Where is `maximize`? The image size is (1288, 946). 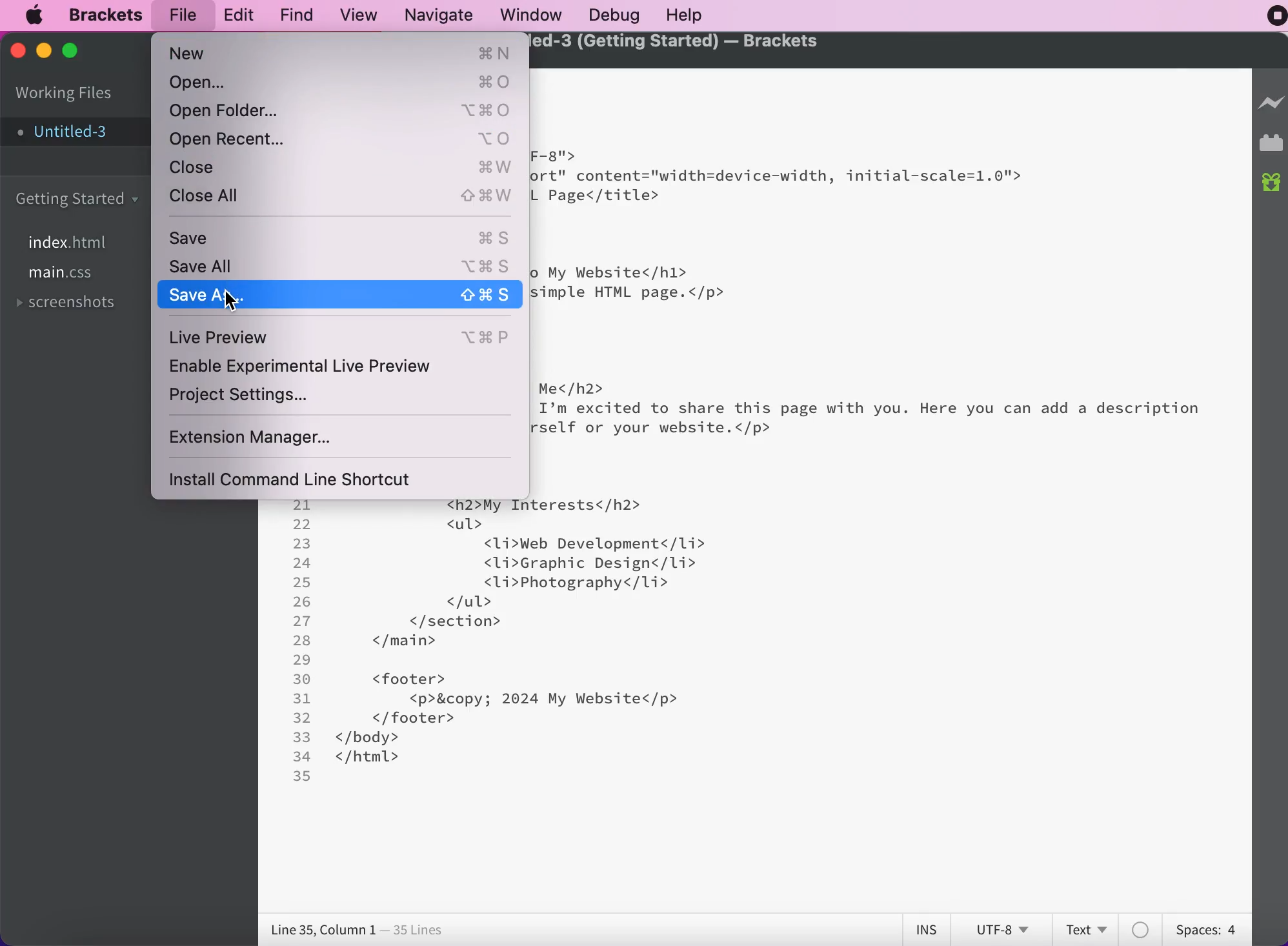
maximize is located at coordinates (72, 55).